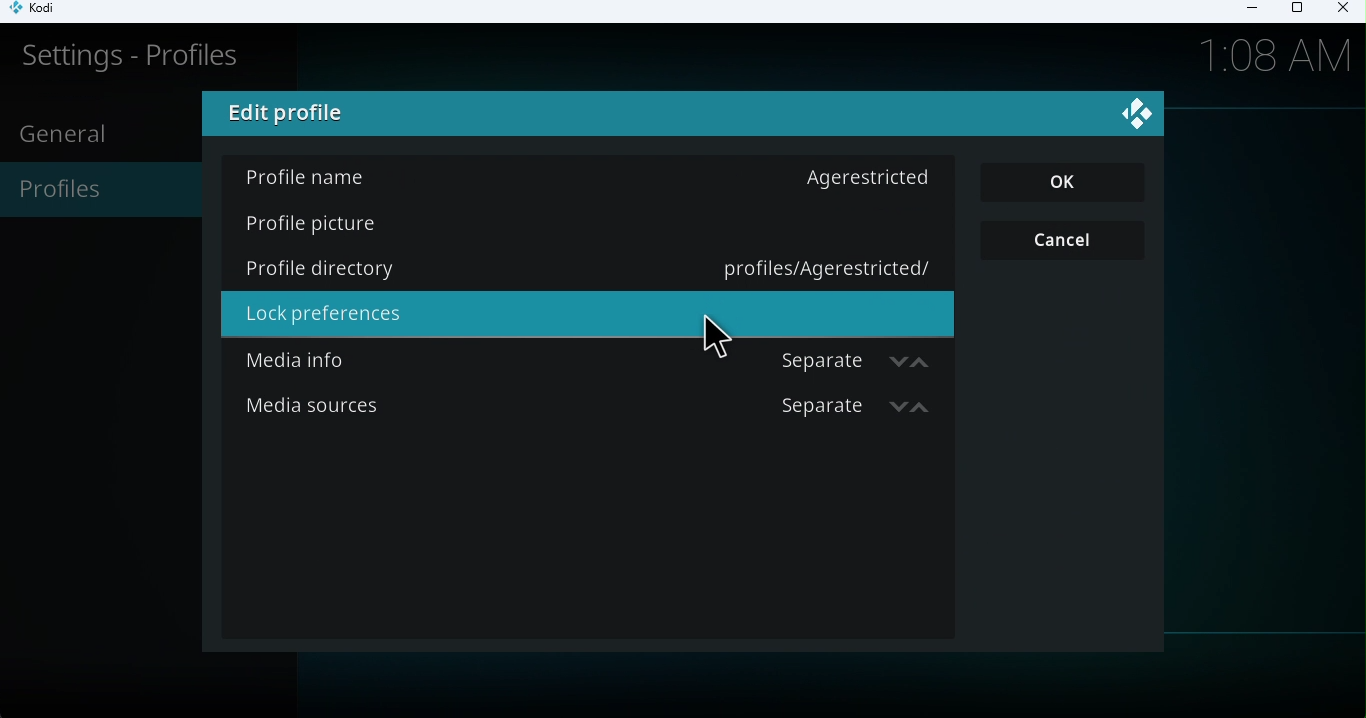 Image resolution: width=1366 pixels, height=718 pixels. Describe the element at coordinates (122, 63) in the screenshot. I see `Settings-profile` at that location.